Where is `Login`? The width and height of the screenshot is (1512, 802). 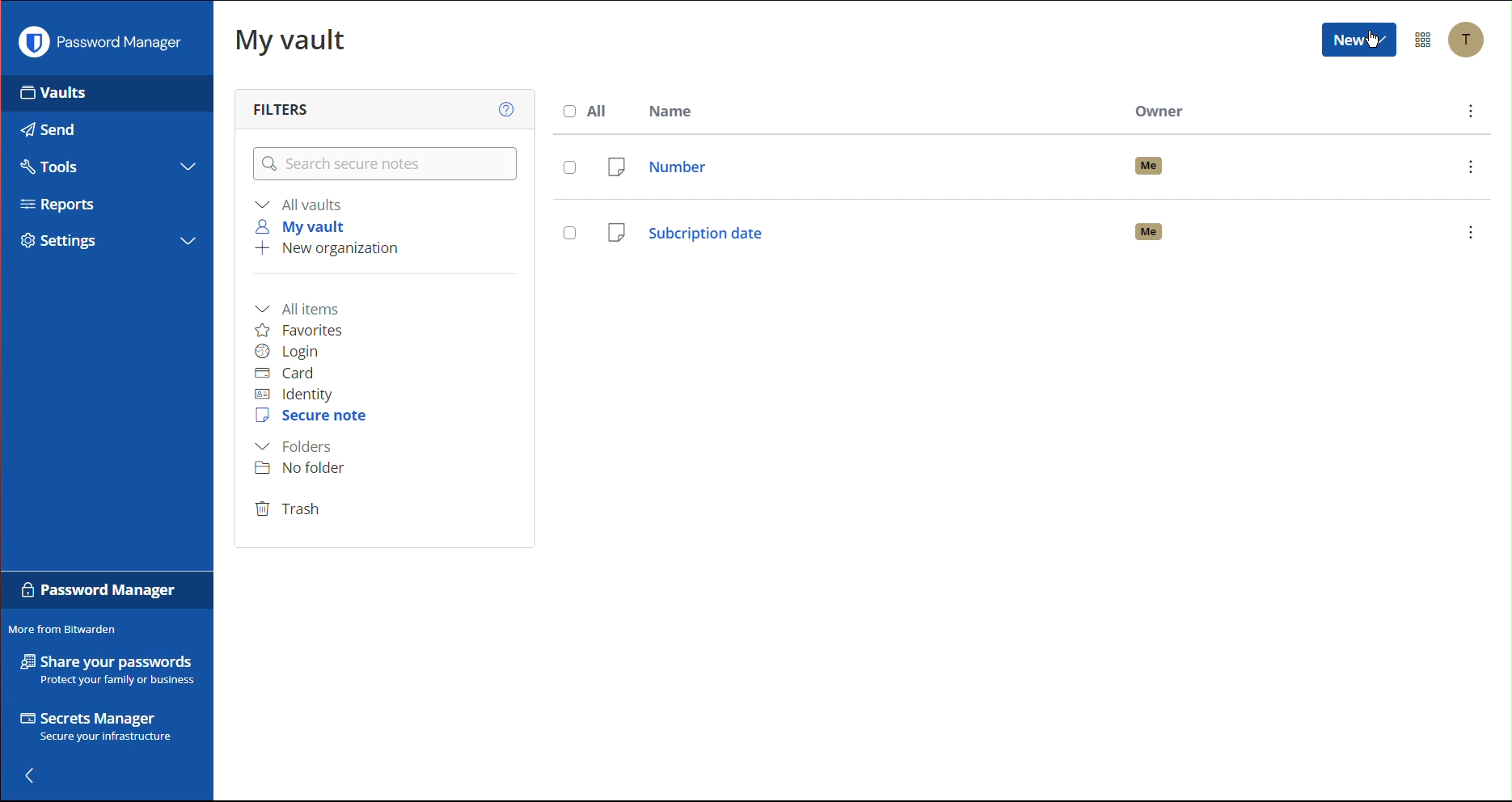
Login is located at coordinates (291, 352).